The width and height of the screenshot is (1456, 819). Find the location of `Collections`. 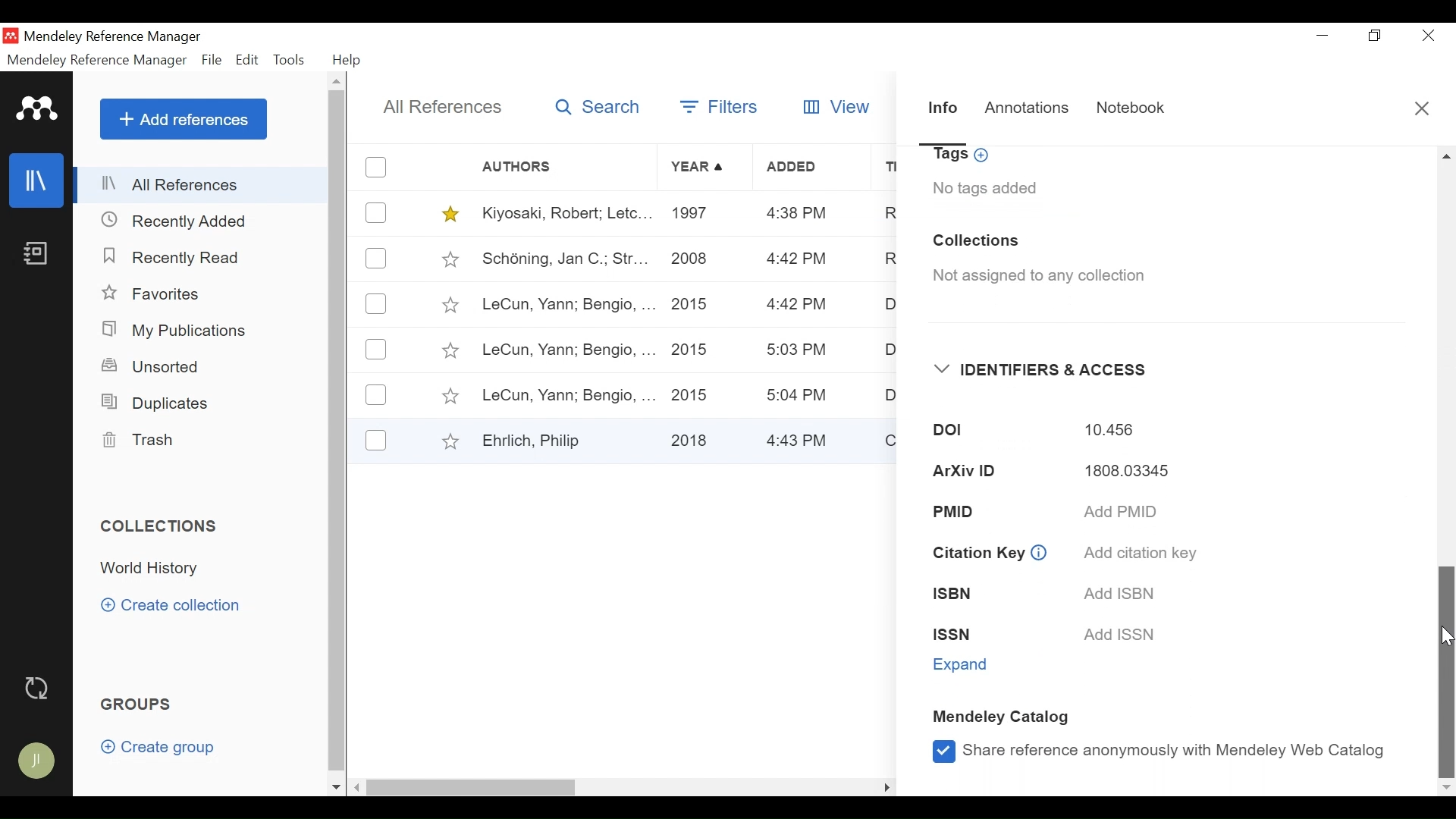

Collections is located at coordinates (161, 527).